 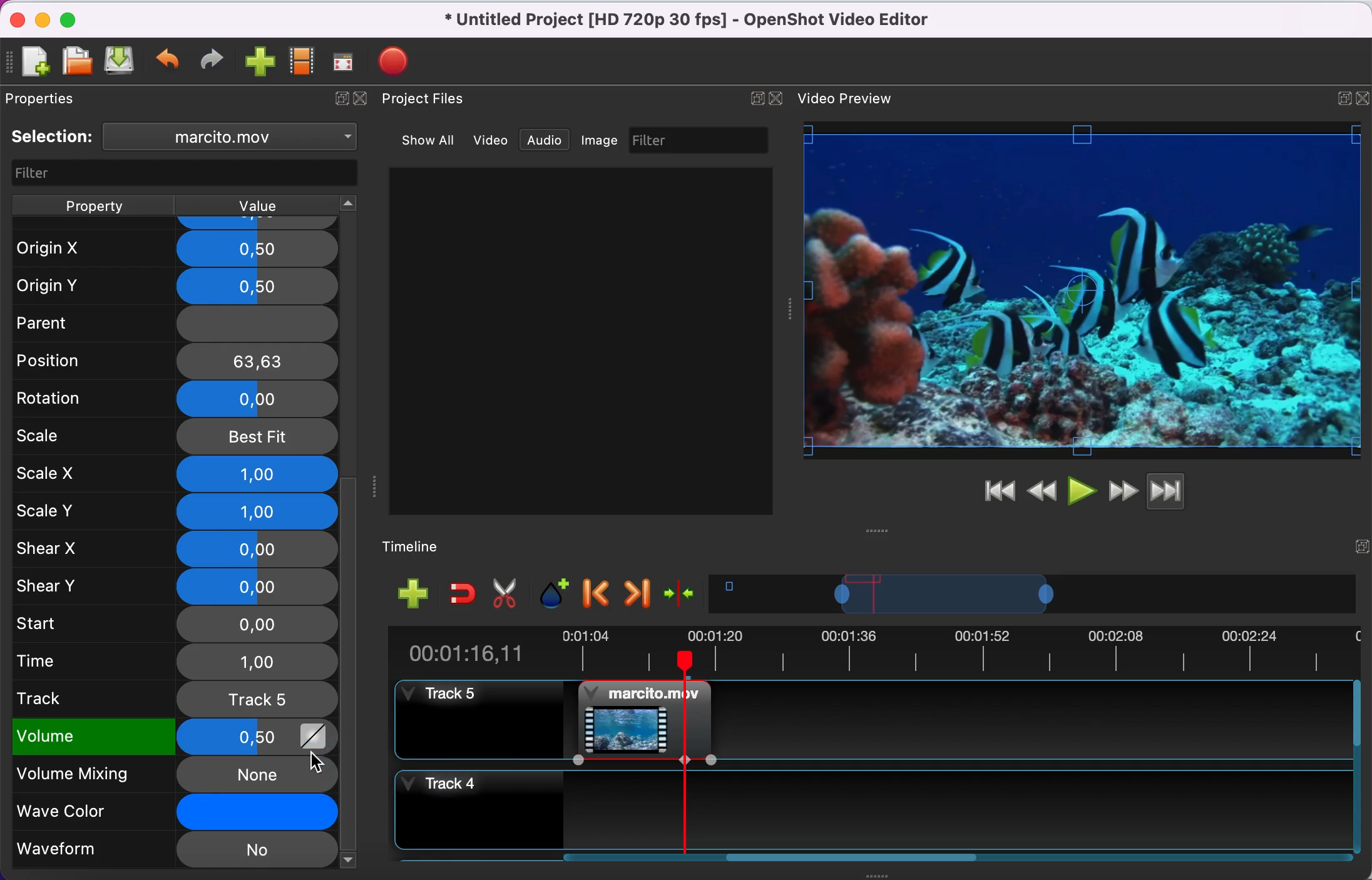 What do you see at coordinates (779, 97) in the screenshot?
I see `close` at bounding box center [779, 97].